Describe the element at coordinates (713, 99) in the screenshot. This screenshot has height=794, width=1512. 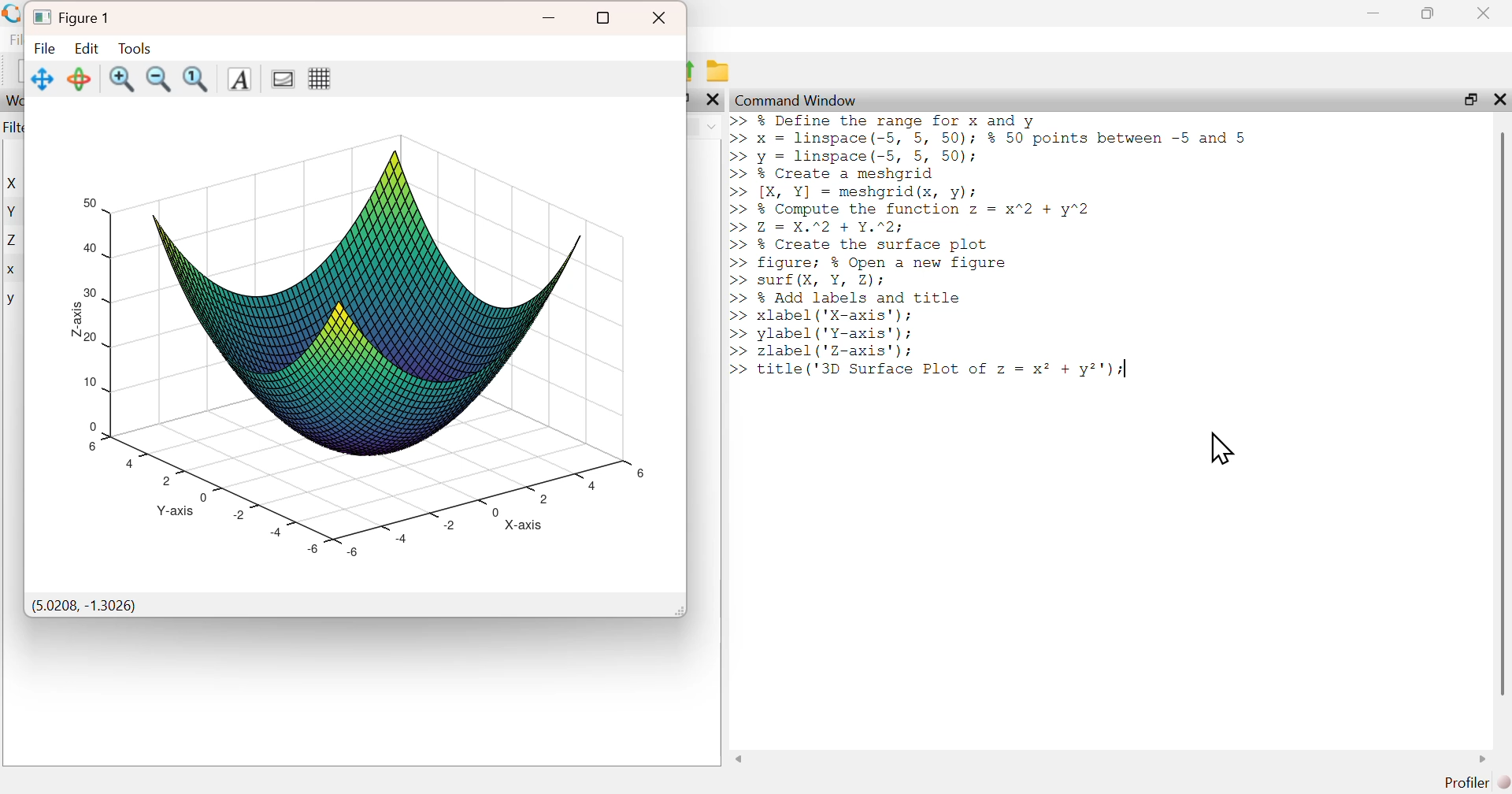
I see `close` at that location.